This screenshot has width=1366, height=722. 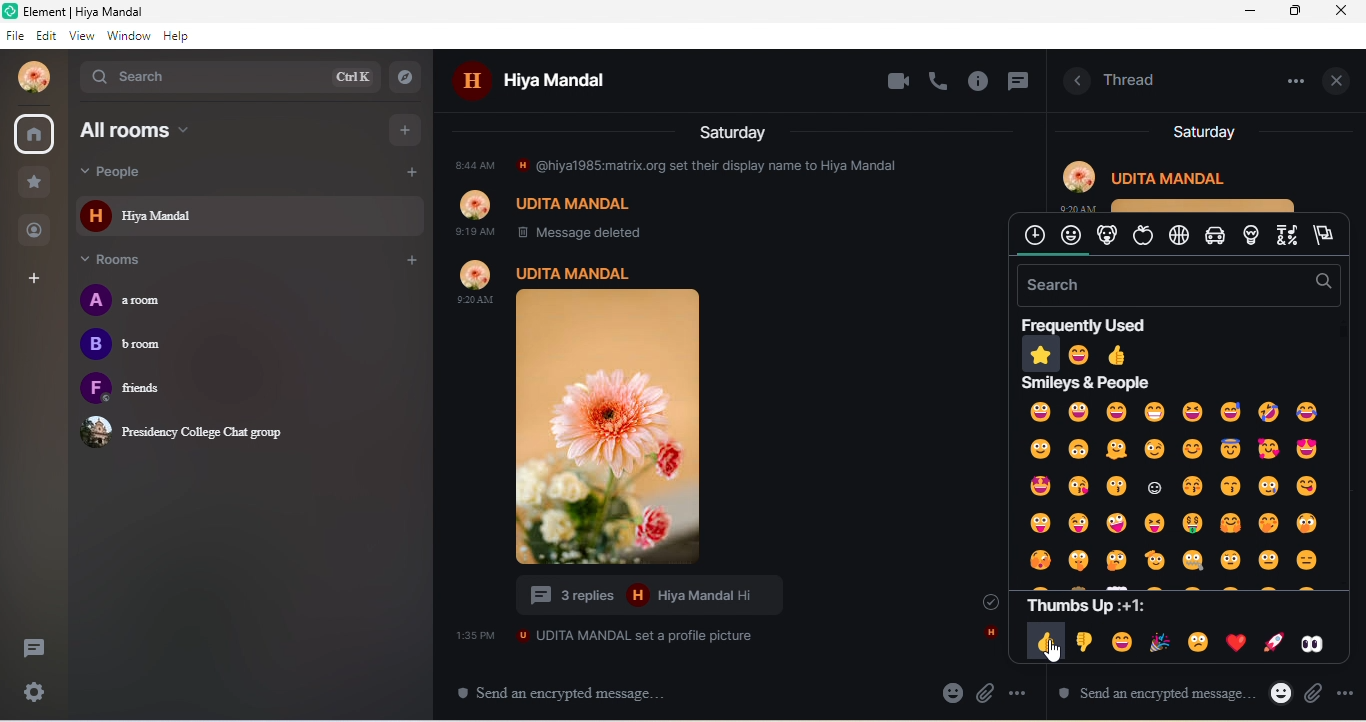 I want to click on option, so click(x=1291, y=80).